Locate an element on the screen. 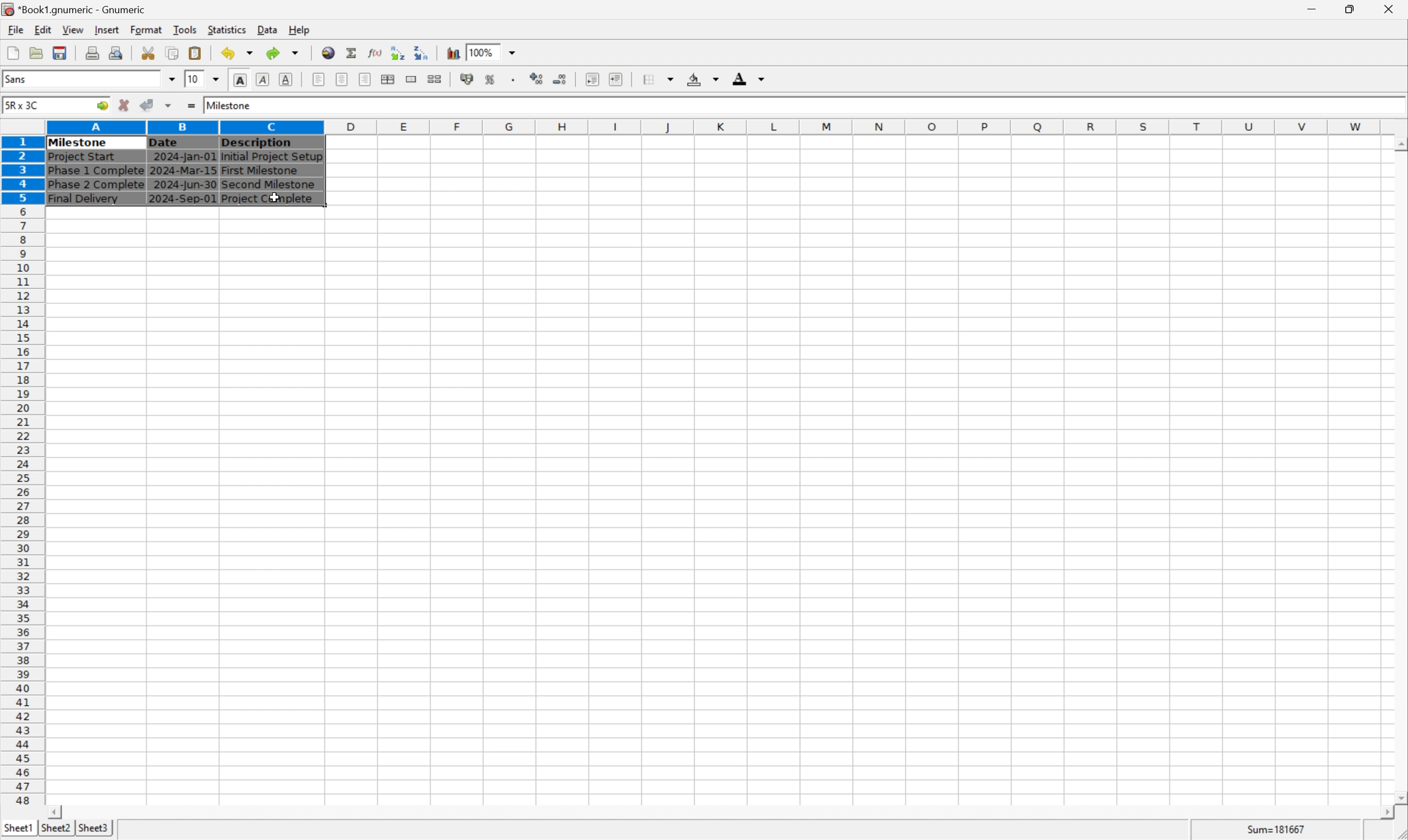 This screenshot has height=840, width=1408. redo is located at coordinates (285, 52).